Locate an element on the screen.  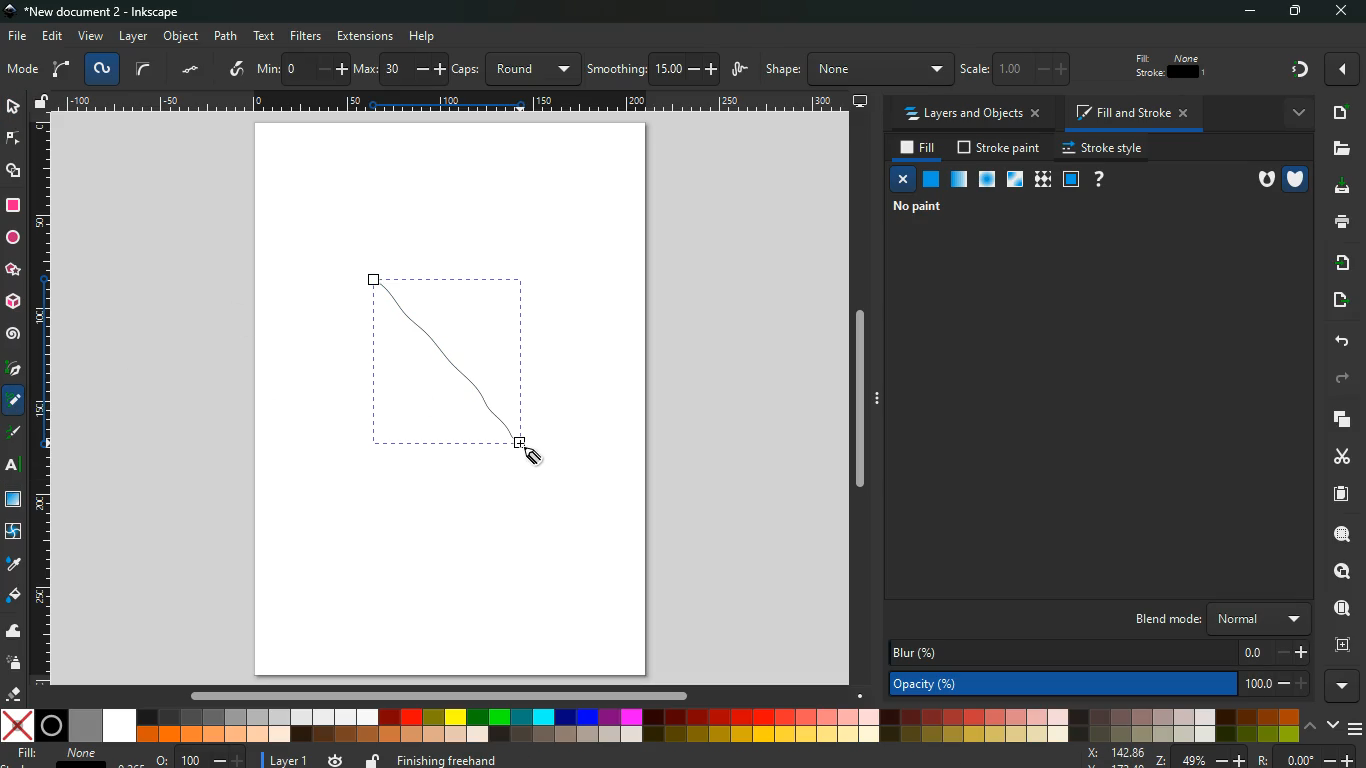
twist is located at coordinates (14, 533).